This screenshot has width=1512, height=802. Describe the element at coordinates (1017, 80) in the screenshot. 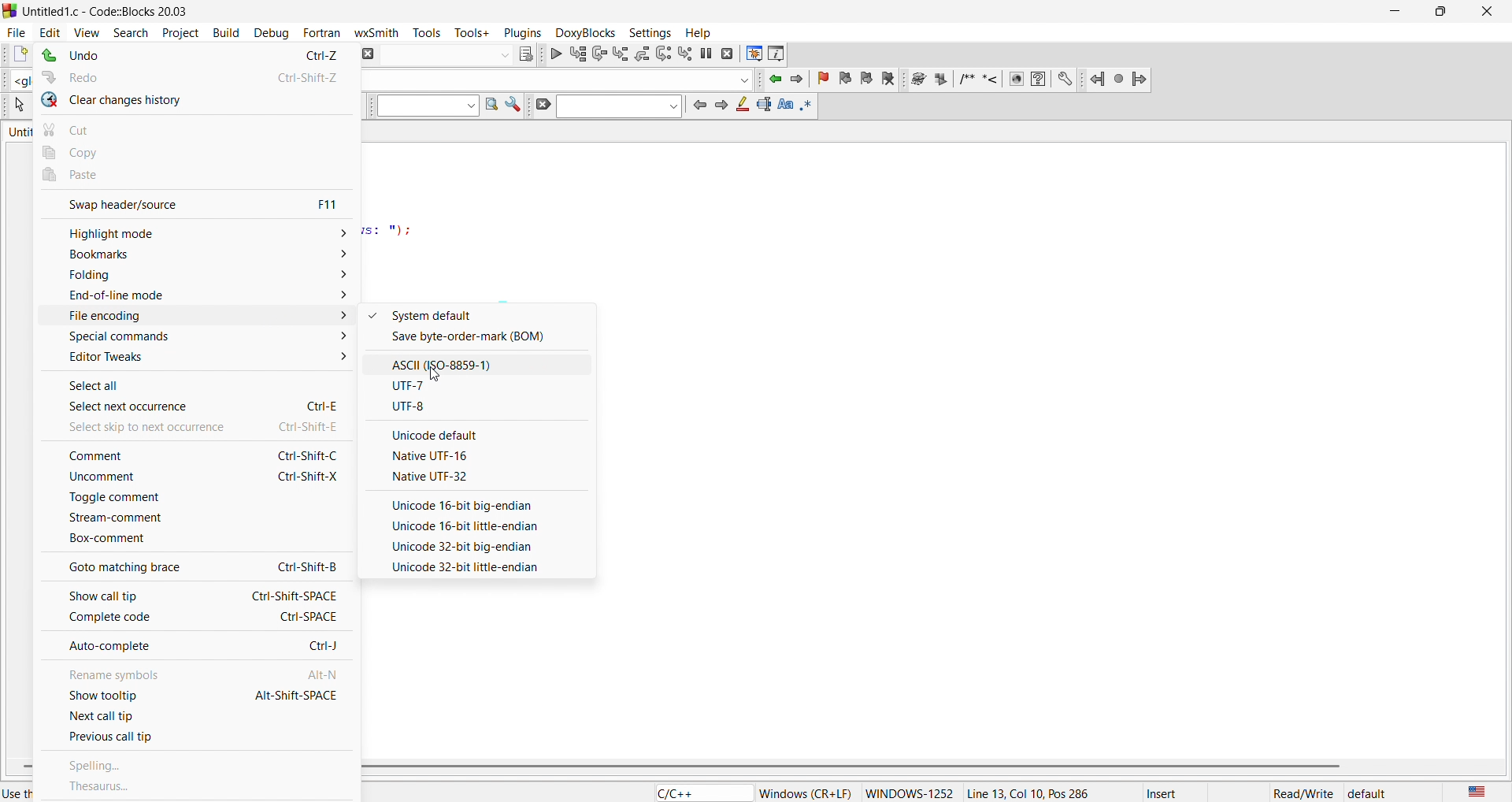

I see `web` at that location.